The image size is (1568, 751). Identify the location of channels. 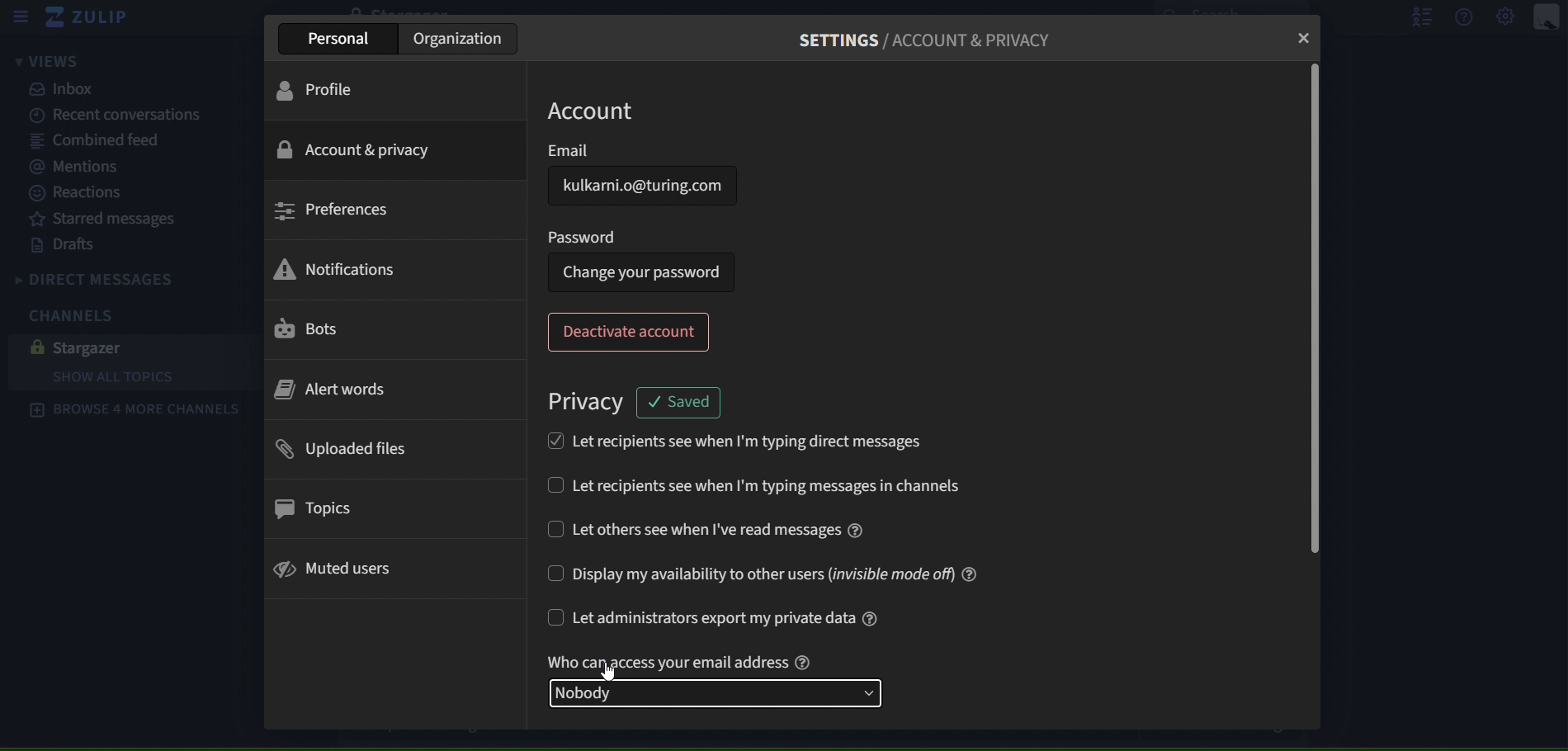
(83, 314).